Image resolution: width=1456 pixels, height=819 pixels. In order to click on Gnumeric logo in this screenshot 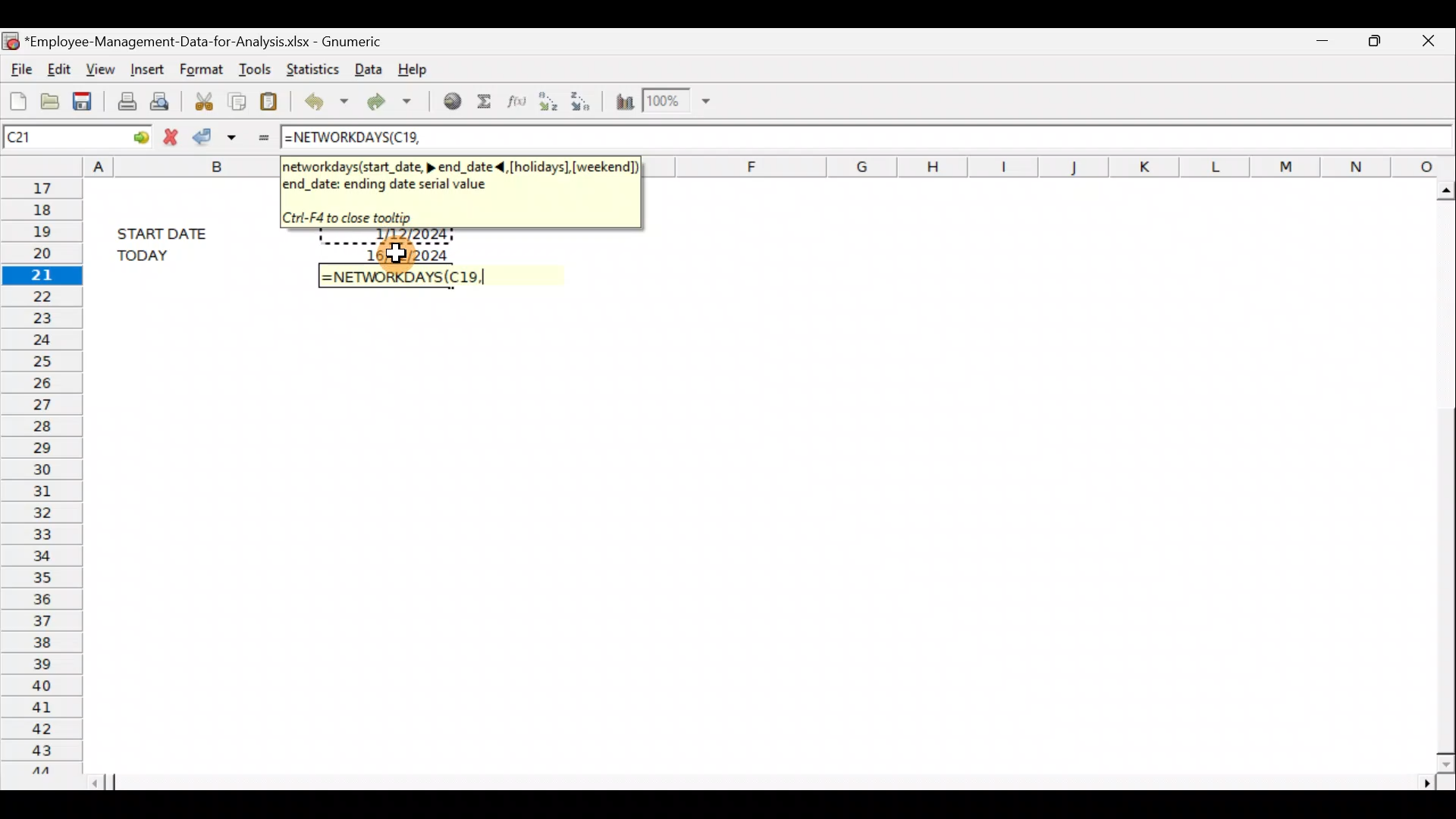, I will do `click(11, 39)`.